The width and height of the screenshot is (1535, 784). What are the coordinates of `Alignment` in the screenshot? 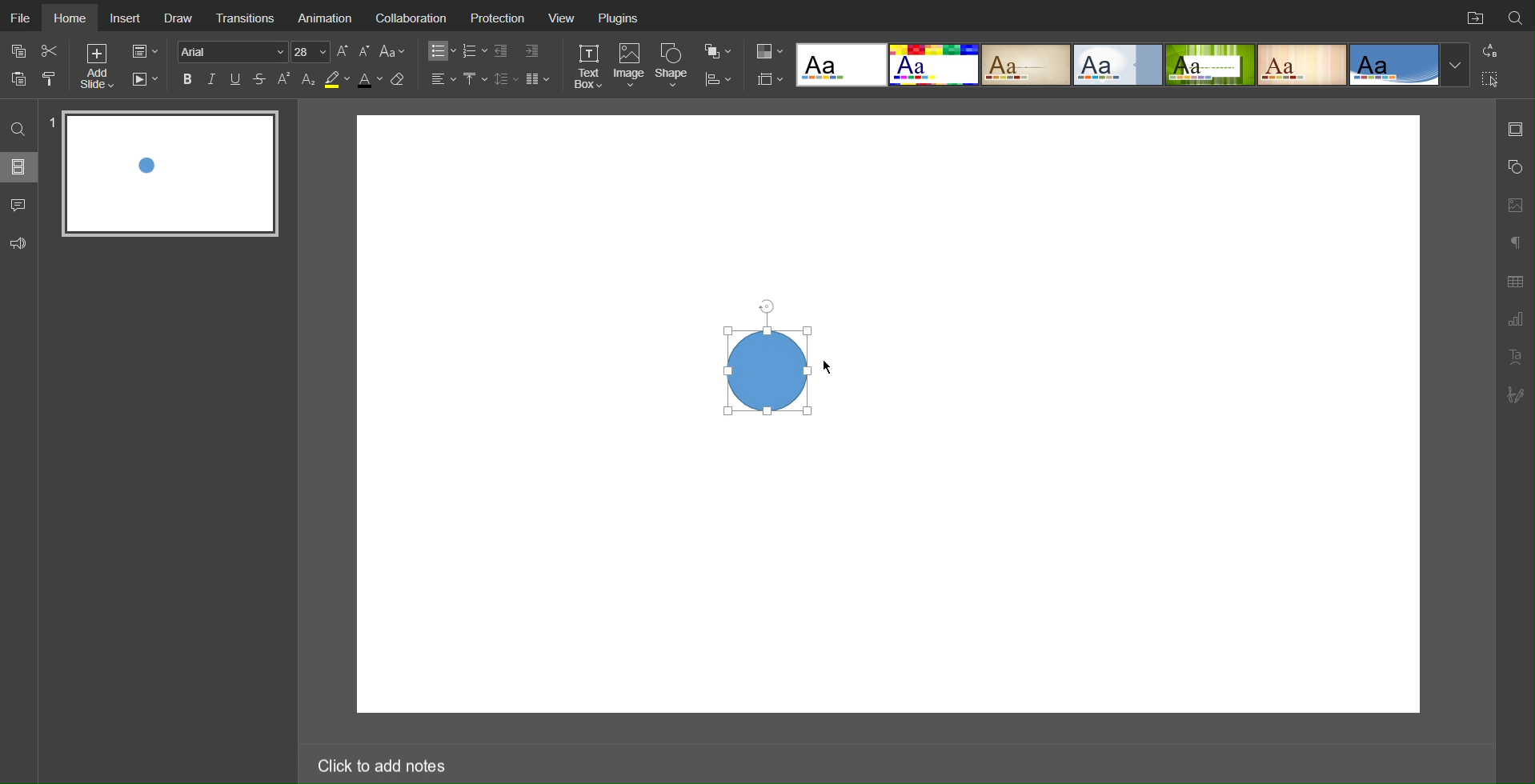 It's located at (442, 78).